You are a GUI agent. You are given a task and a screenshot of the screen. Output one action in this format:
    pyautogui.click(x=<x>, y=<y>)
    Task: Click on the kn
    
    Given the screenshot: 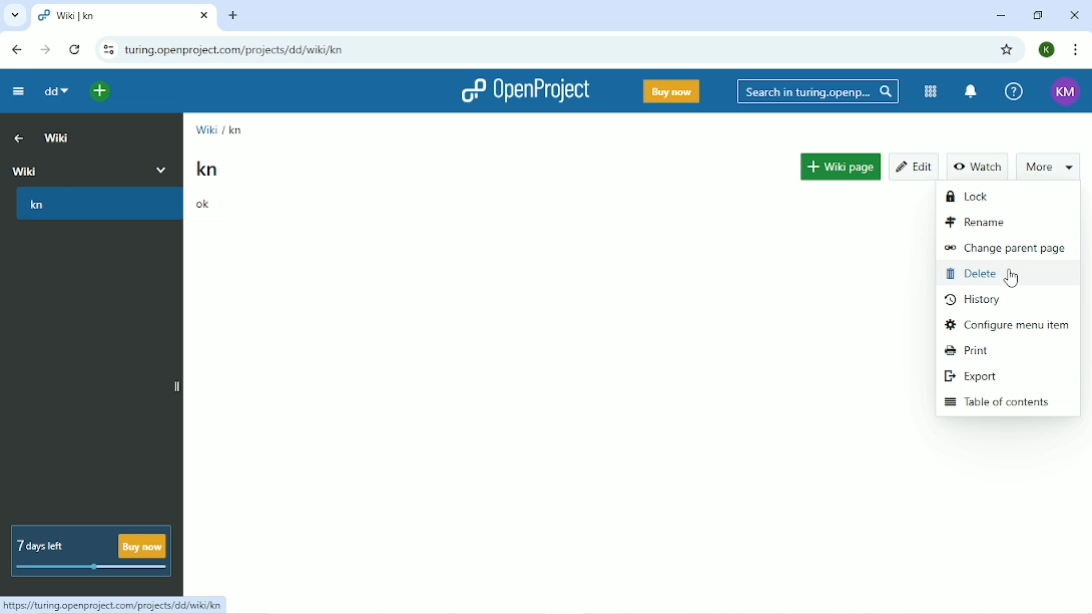 What is the action you would take?
    pyautogui.click(x=234, y=130)
    